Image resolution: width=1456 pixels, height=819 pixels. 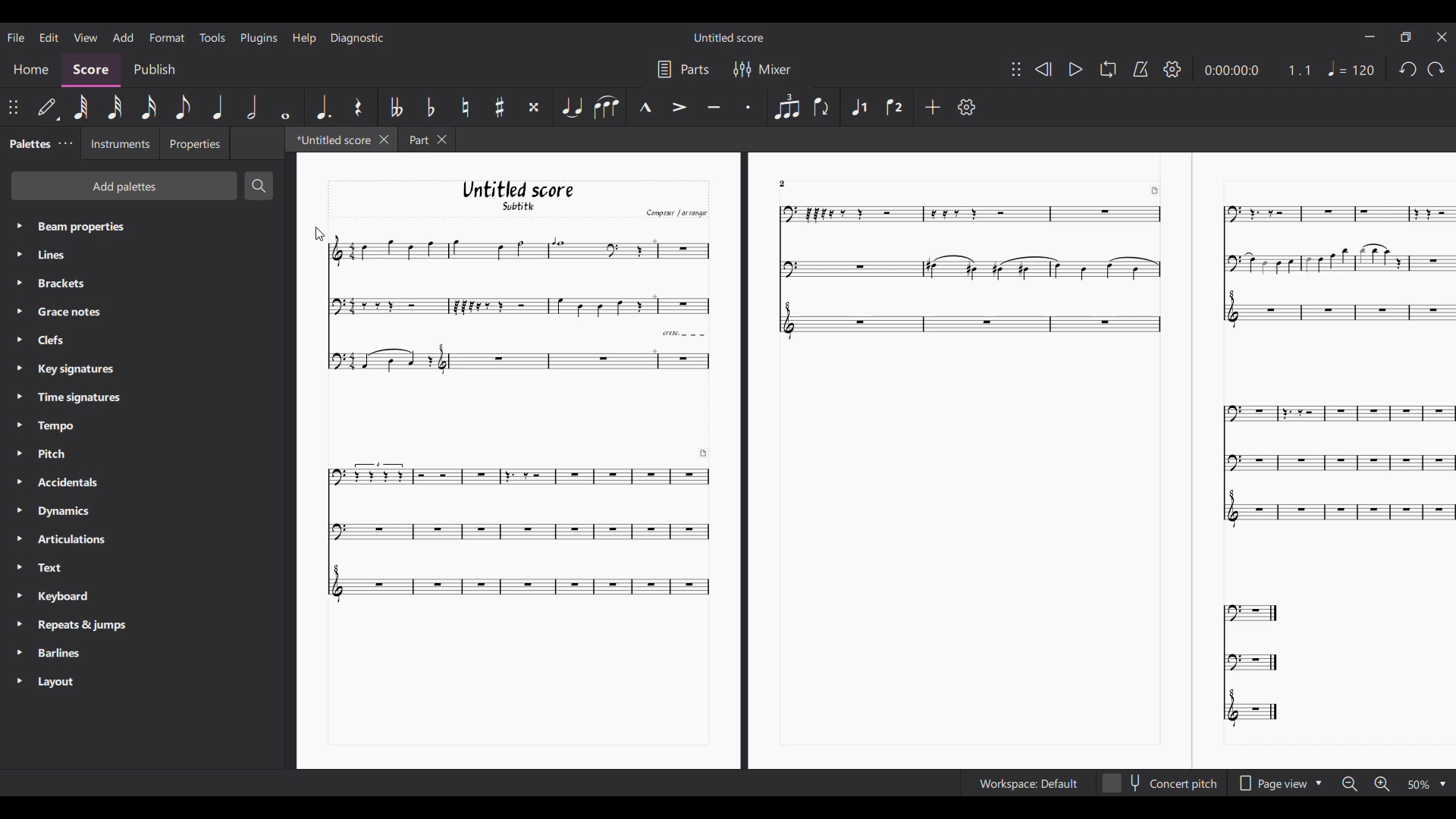 I want to click on Dynamics, so click(x=71, y=510).